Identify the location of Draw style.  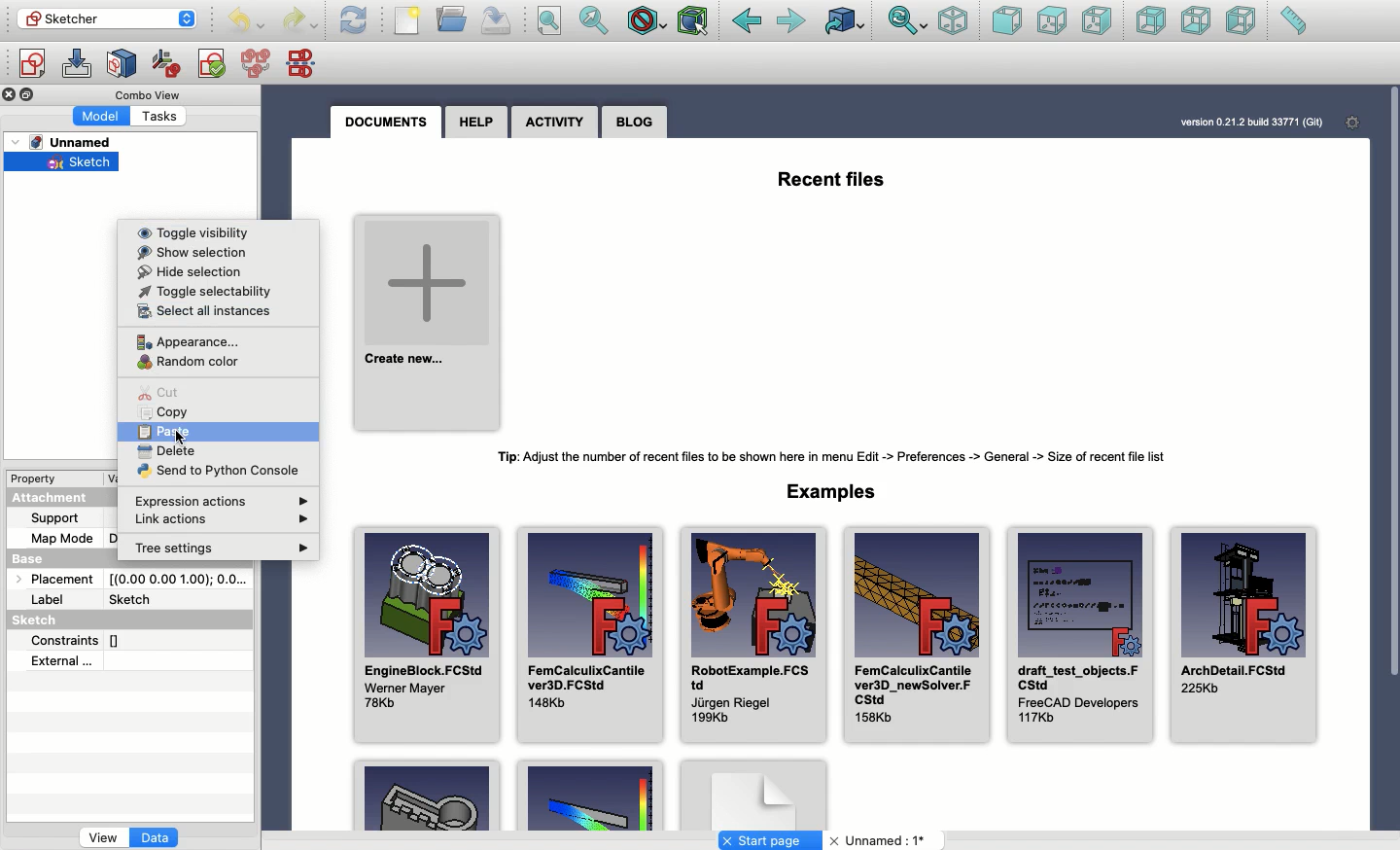
(646, 23).